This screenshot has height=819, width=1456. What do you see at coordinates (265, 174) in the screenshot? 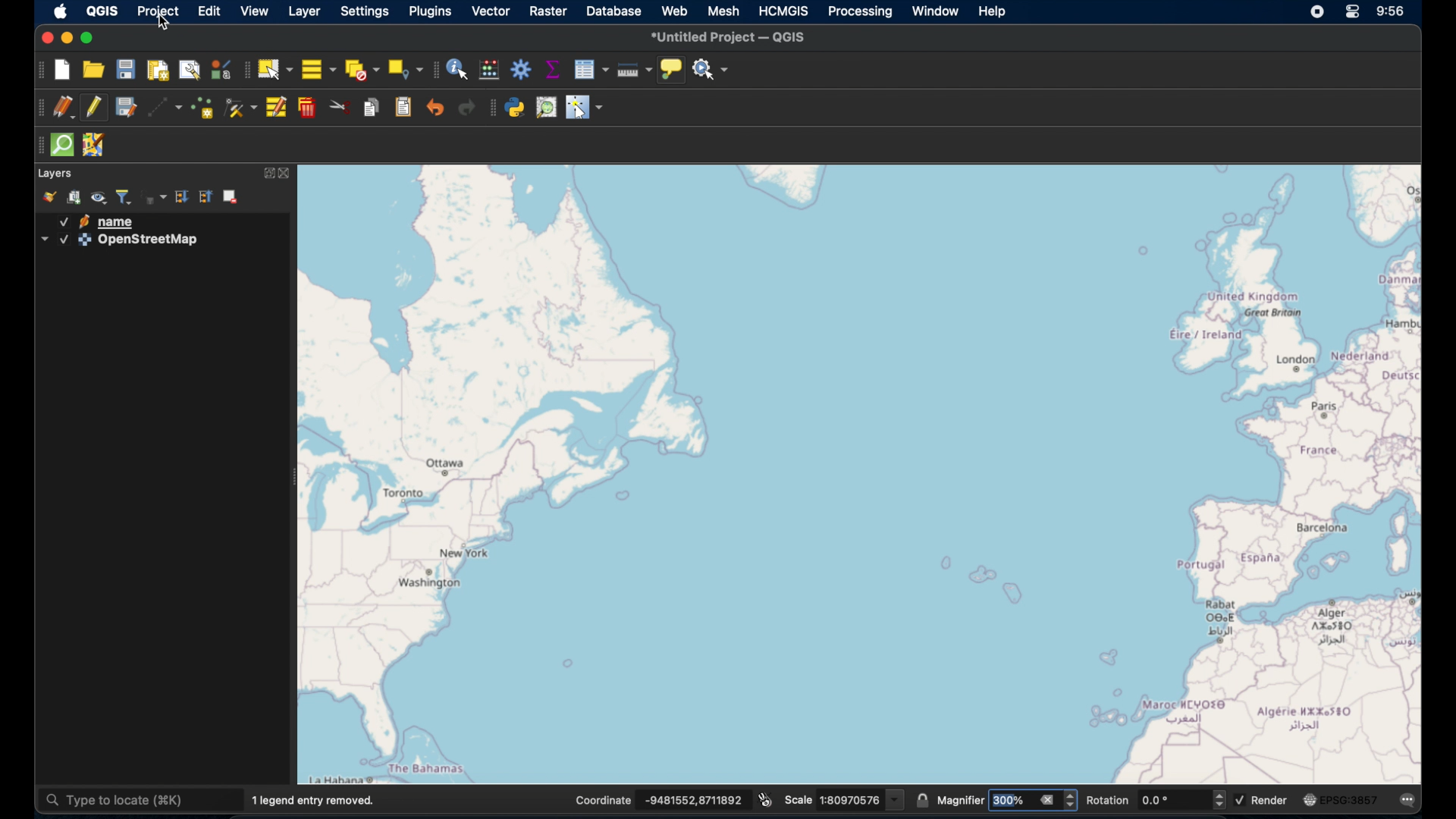
I see `expand` at bounding box center [265, 174].